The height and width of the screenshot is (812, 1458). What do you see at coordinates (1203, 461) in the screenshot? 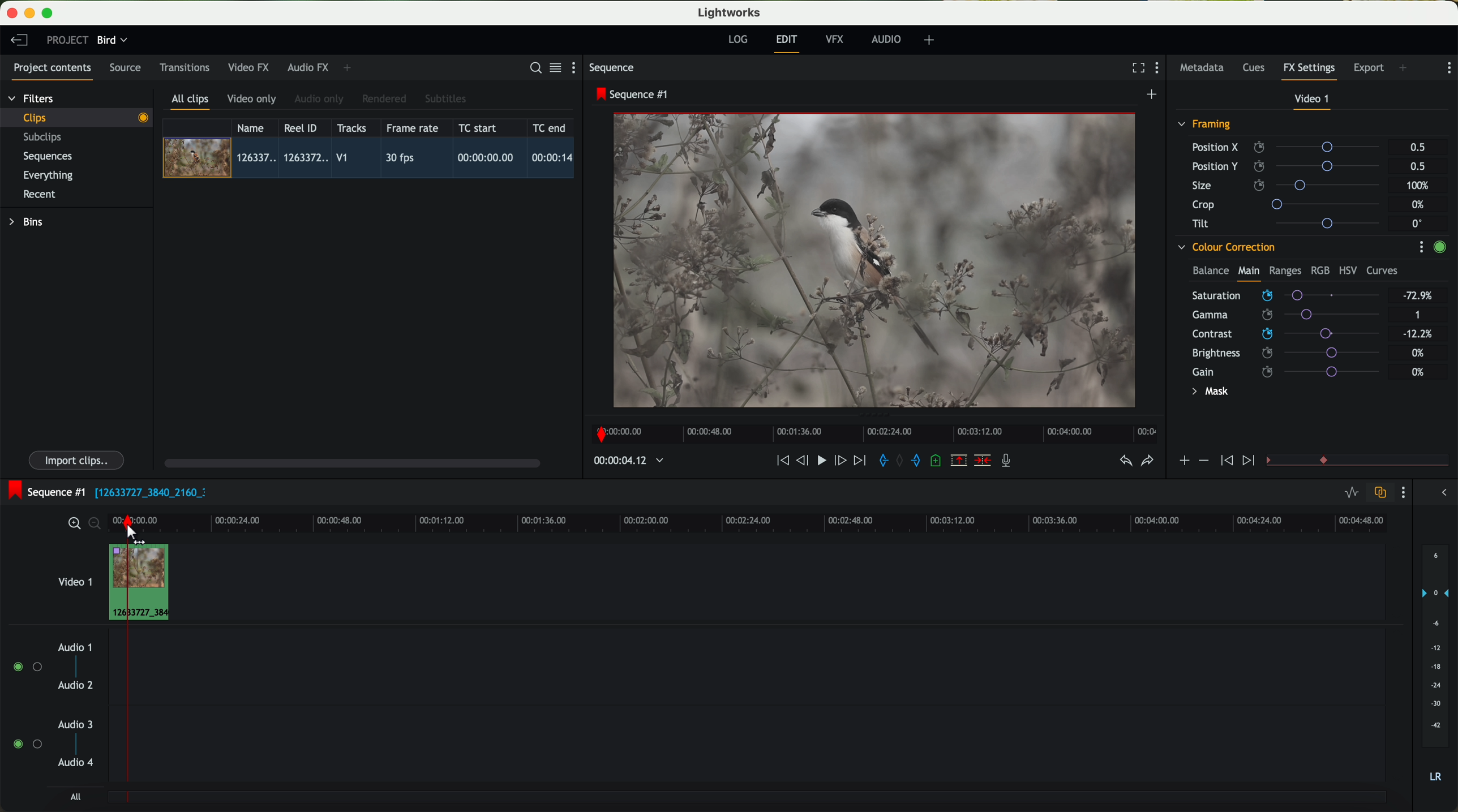
I see `icon` at bounding box center [1203, 461].